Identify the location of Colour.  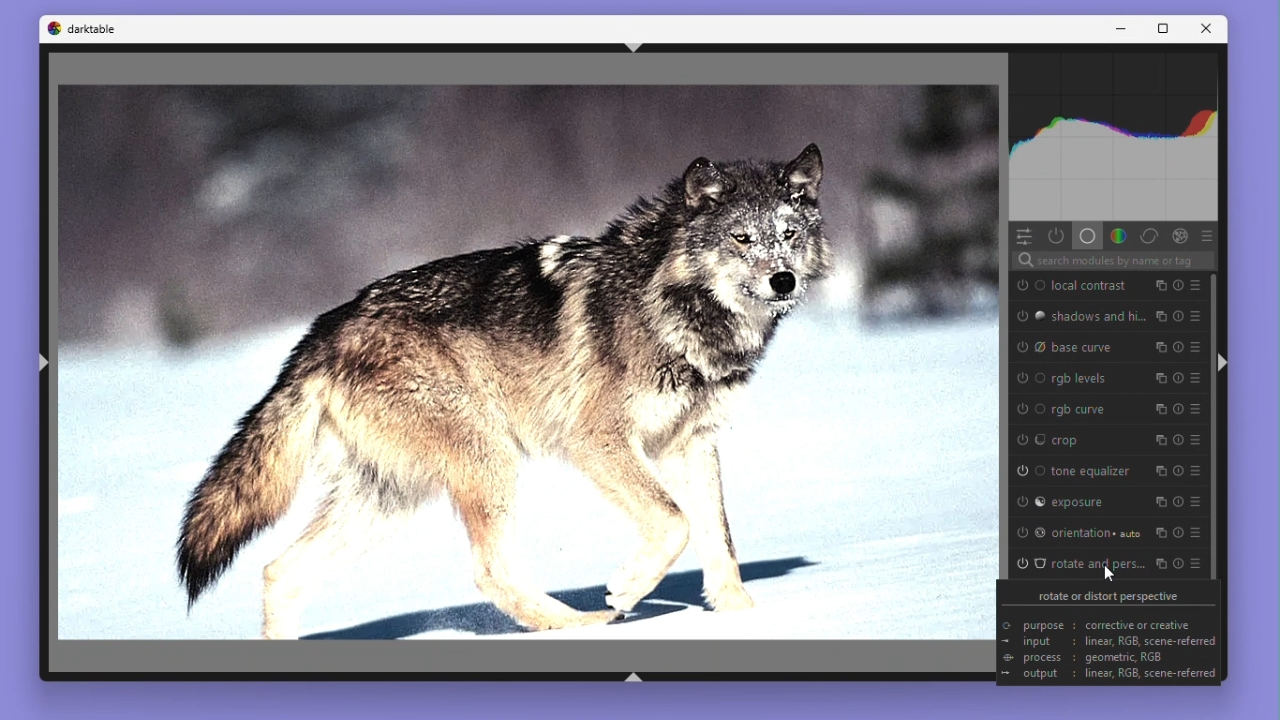
(1118, 235).